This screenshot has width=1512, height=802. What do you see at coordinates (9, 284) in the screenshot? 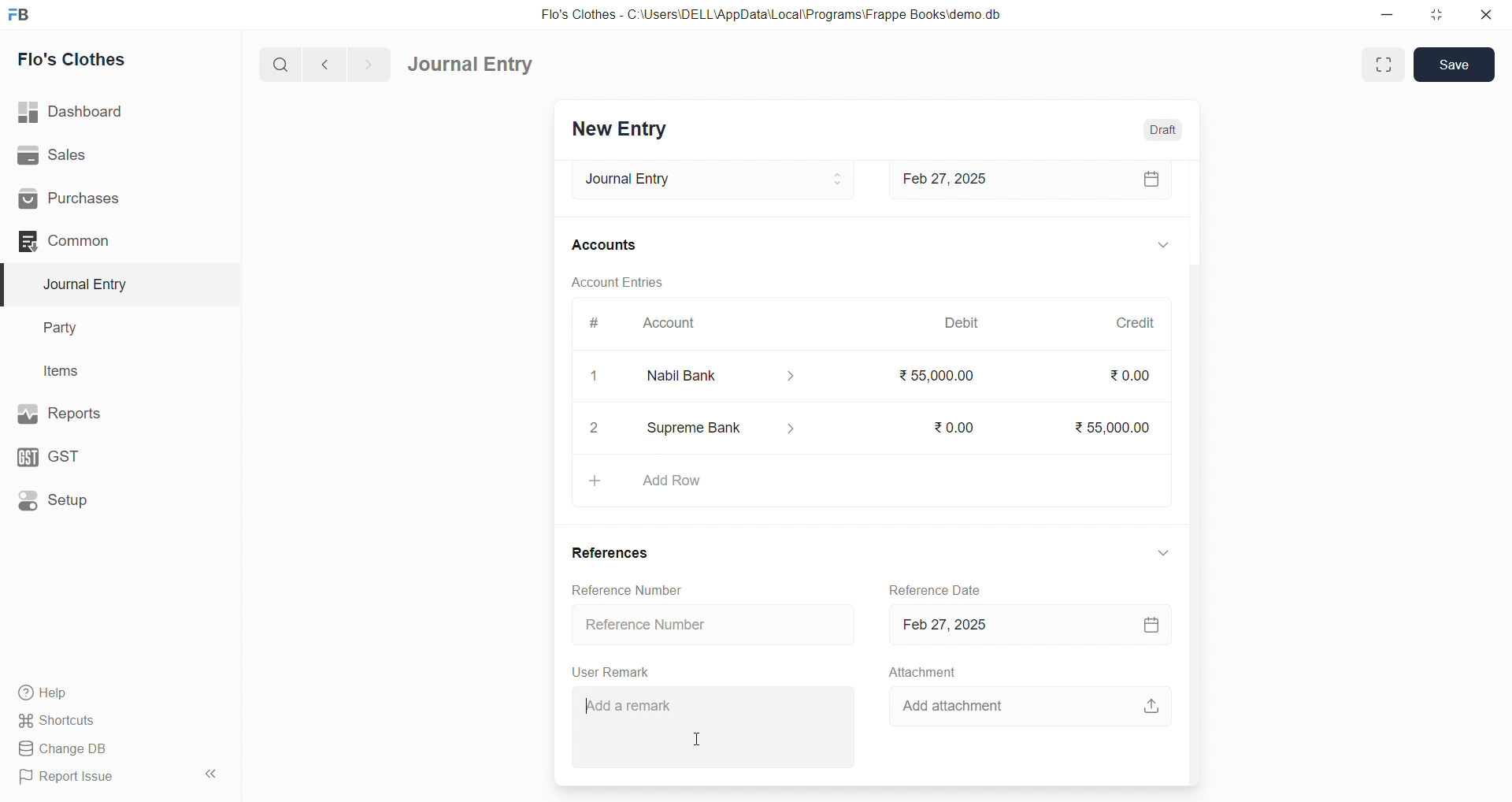
I see `selected` at bounding box center [9, 284].